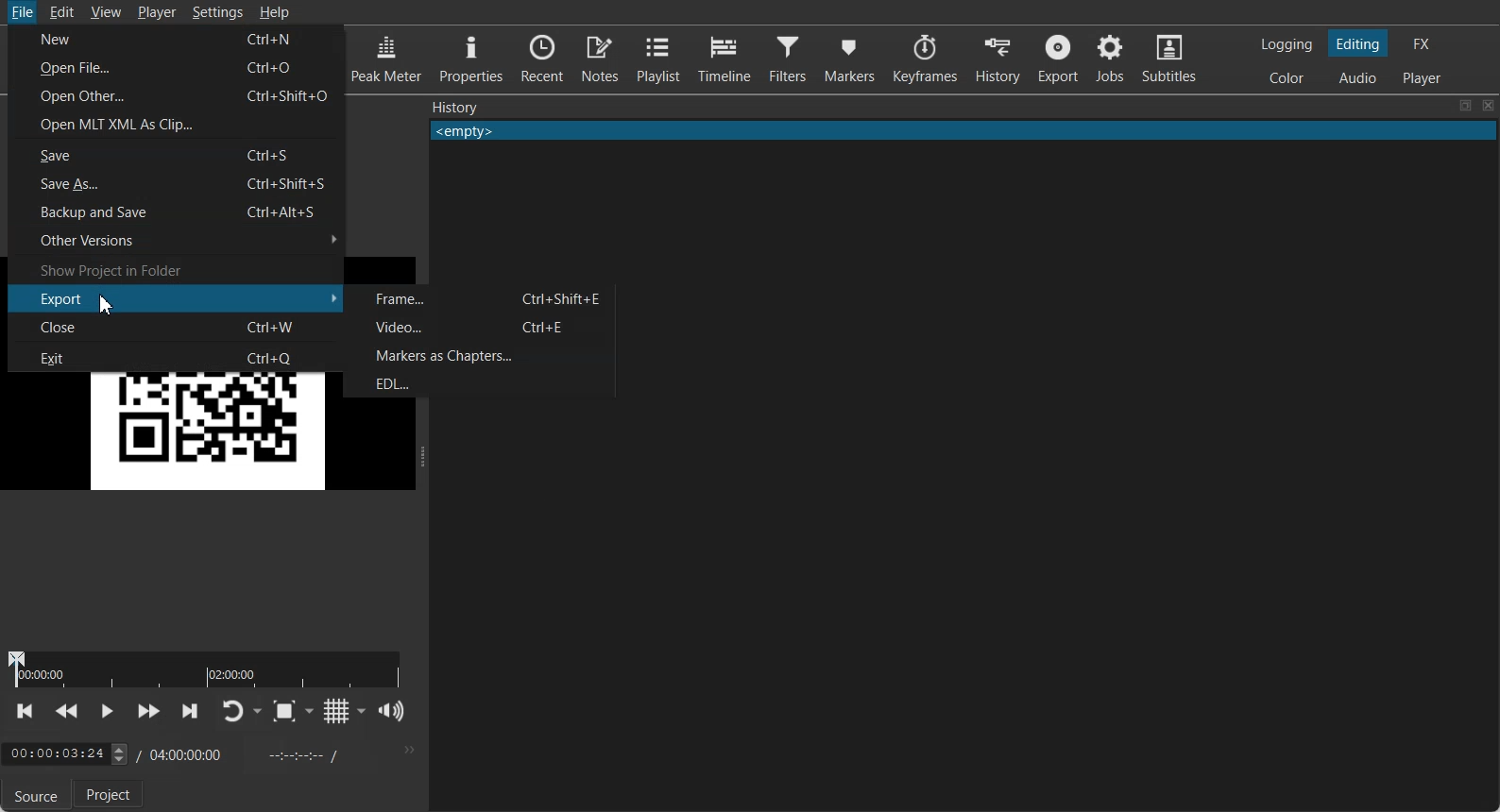  I want to click on In point, so click(299, 754).